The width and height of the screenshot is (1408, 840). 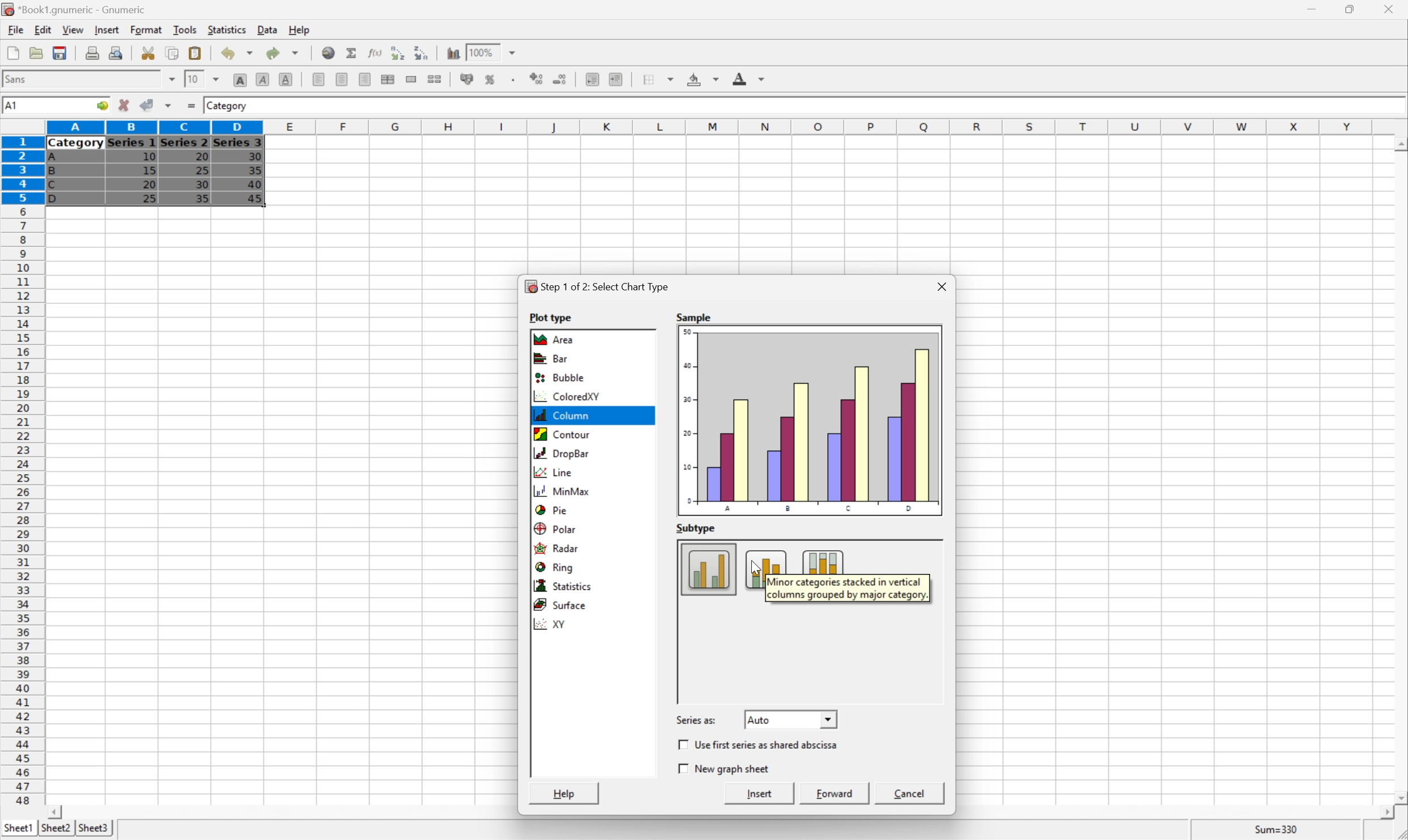 What do you see at coordinates (482, 52) in the screenshot?
I see `100%` at bounding box center [482, 52].